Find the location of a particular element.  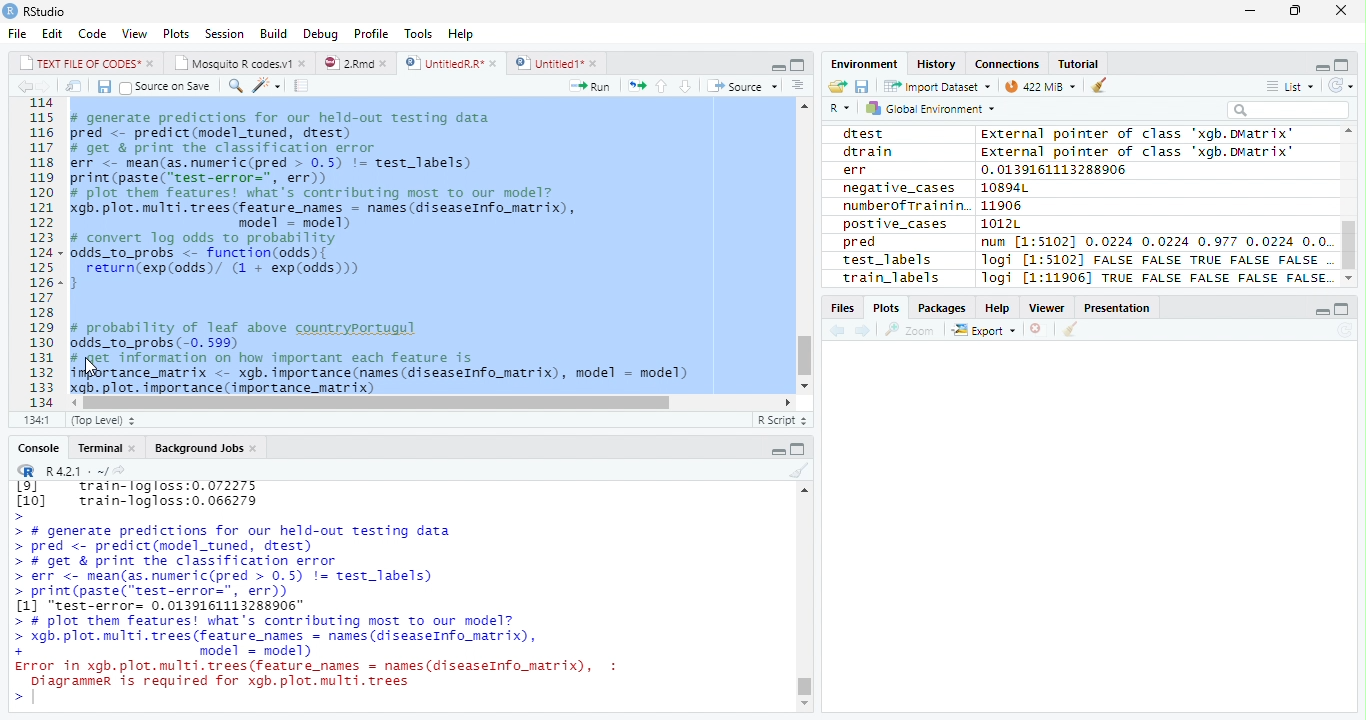

Packages is located at coordinates (942, 308).